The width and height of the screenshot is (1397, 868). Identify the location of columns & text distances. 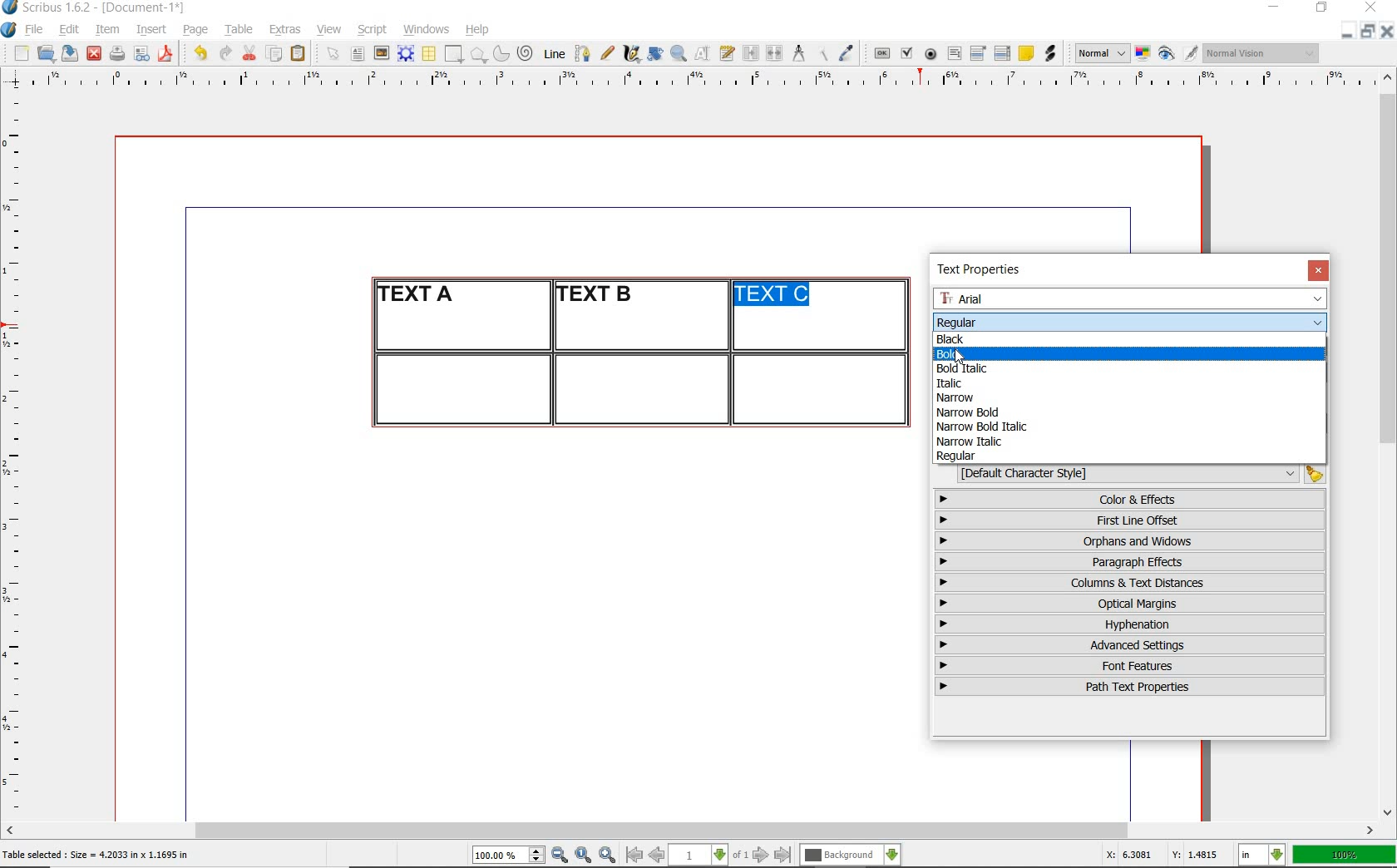
(1133, 583).